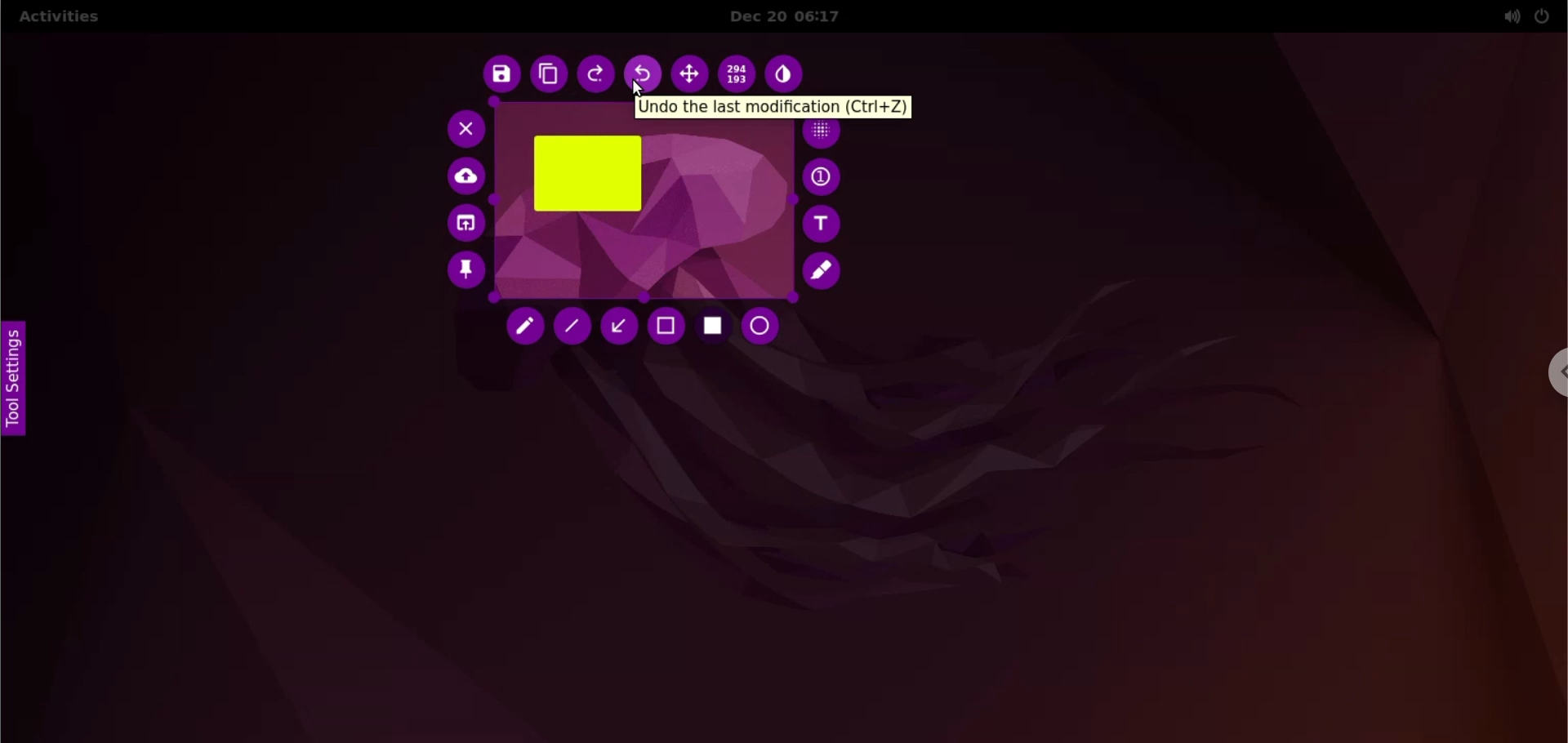  Describe the element at coordinates (642, 88) in the screenshot. I see `cursor` at that location.